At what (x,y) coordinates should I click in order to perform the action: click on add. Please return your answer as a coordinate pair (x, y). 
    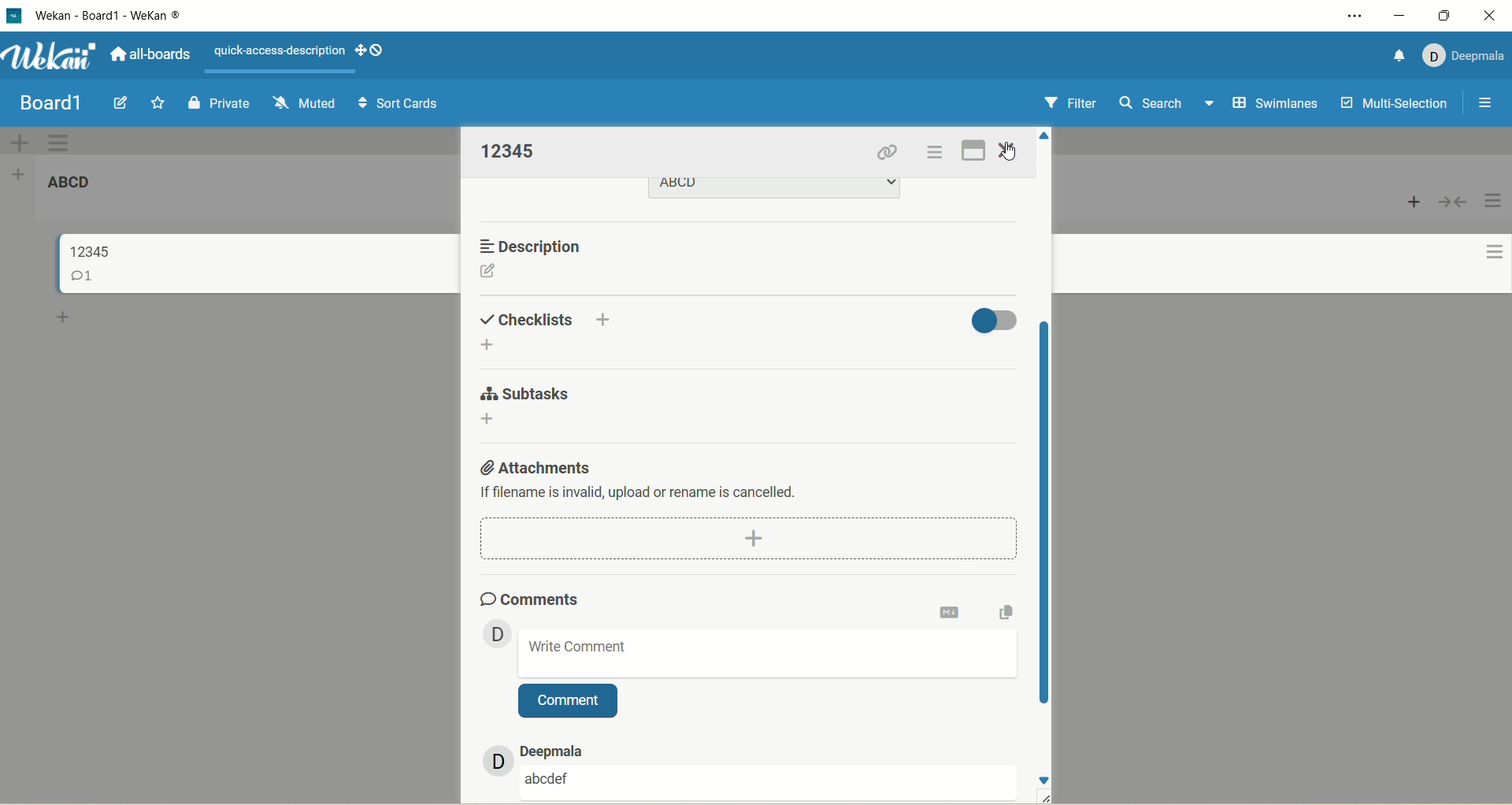
    Looking at the image, I should click on (606, 317).